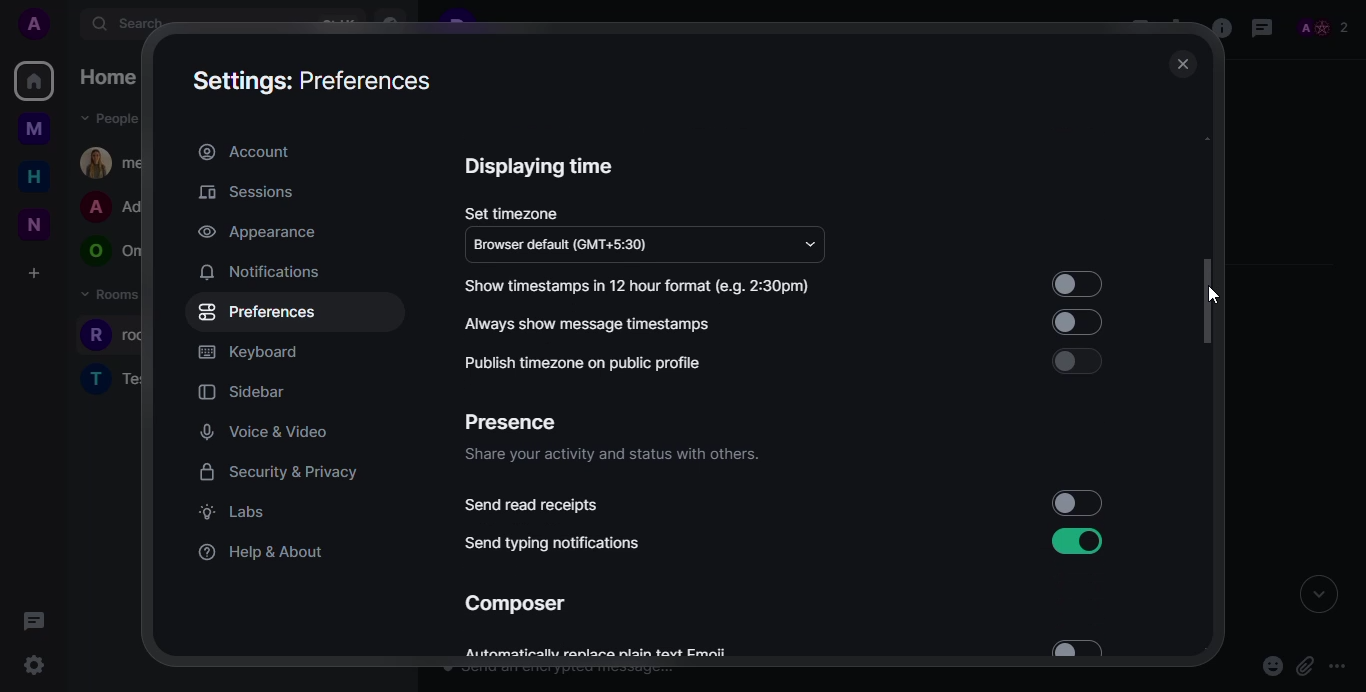  What do you see at coordinates (1077, 285) in the screenshot?
I see `Toggle button` at bounding box center [1077, 285].